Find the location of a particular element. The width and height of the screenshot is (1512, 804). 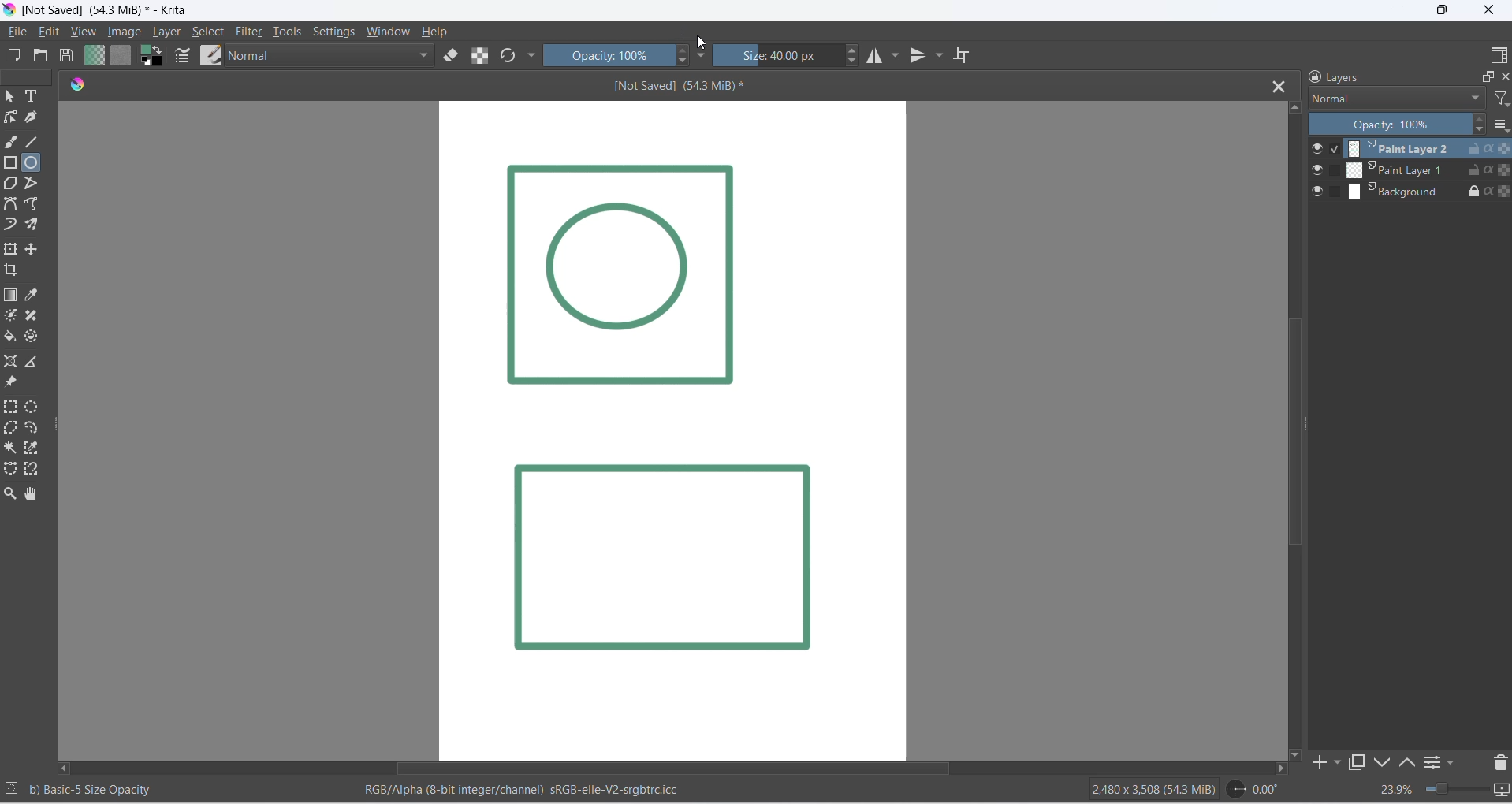

image is located at coordinates (130, 33).